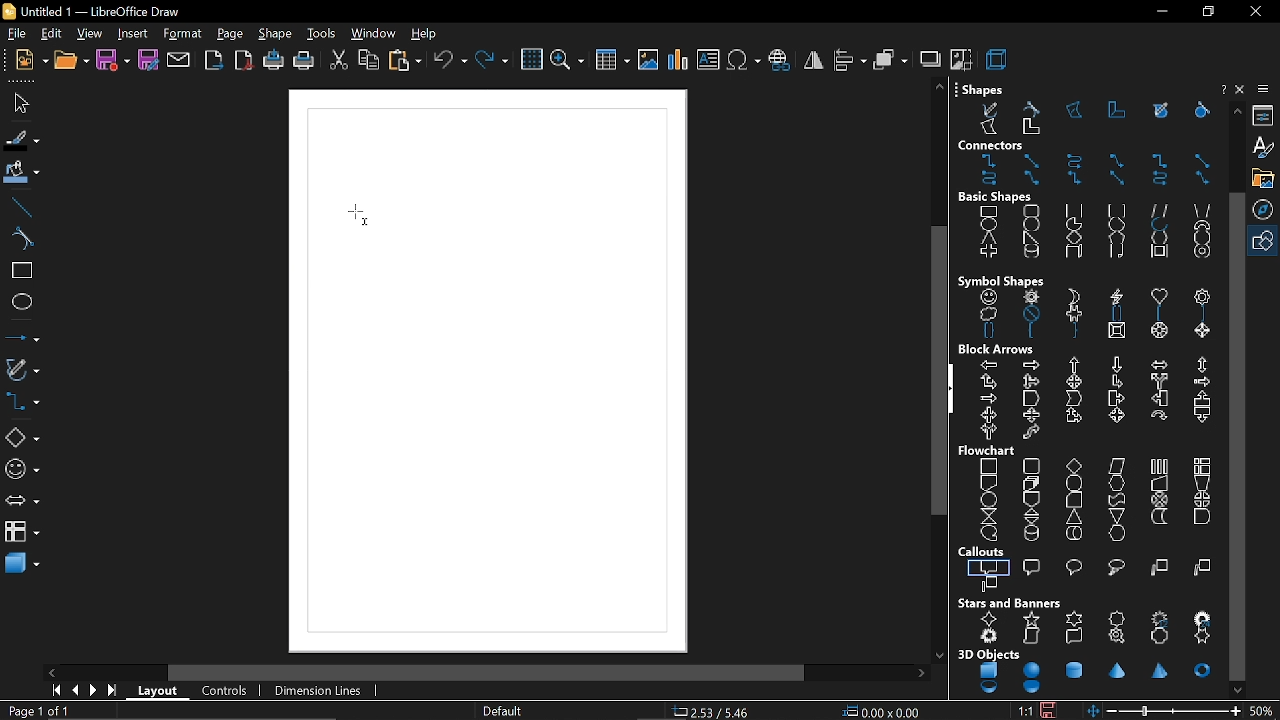  Describe the element at coordinates (180, 33) in the screenshot. I see `format` at that location.